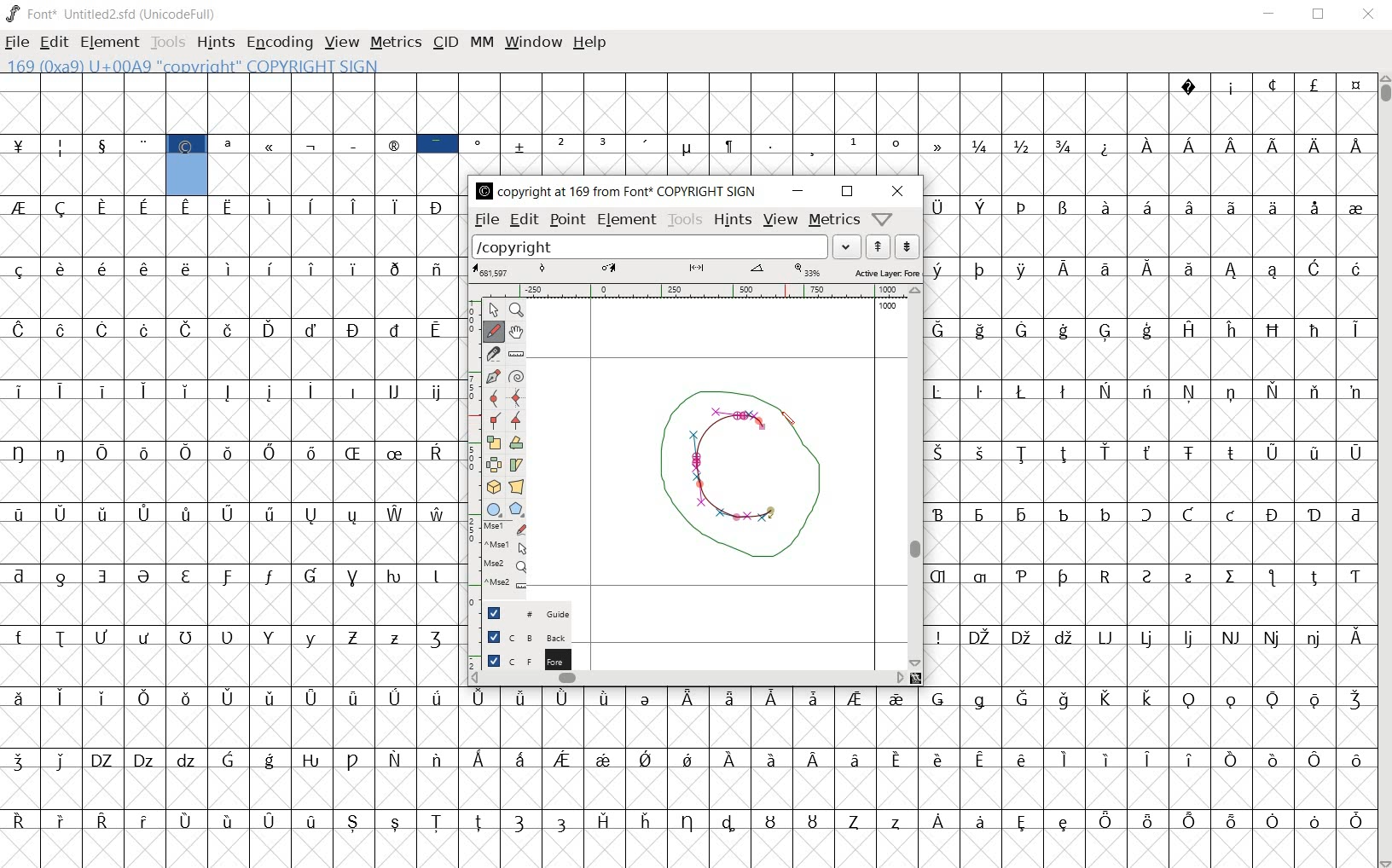  I want to click on scale the selection, so click(494, 443).